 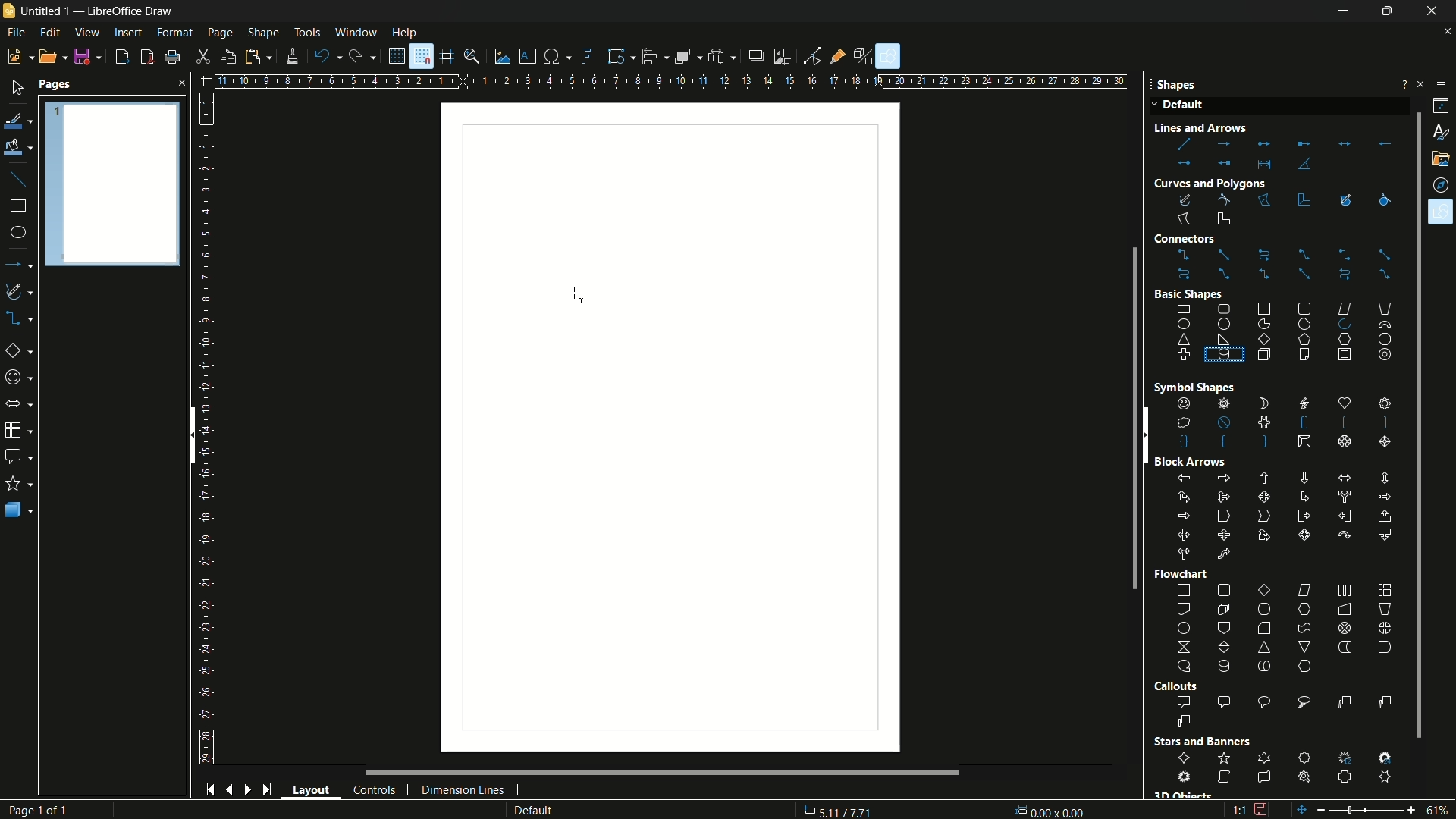 What do you see at coordinates (403, 33) in the screenshot?
I see `help menu` at bounding box center [403, 33].